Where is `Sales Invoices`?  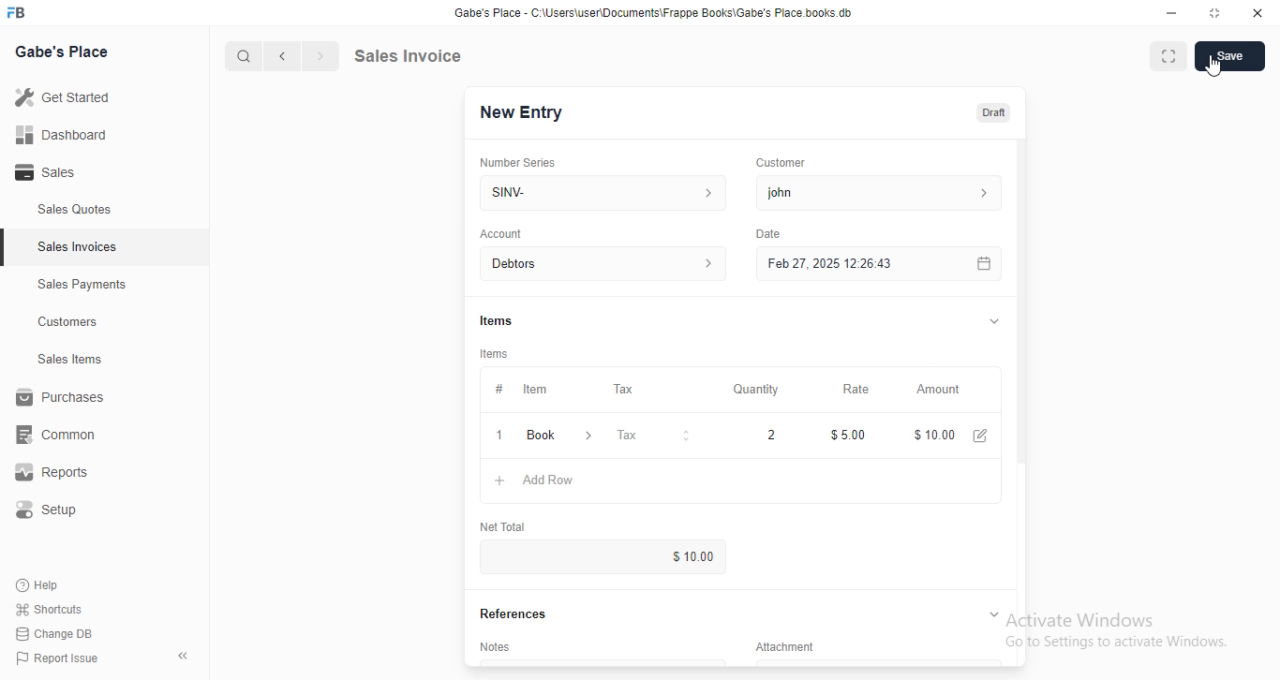 Sales Invoices is located at coordinates (80, 248).